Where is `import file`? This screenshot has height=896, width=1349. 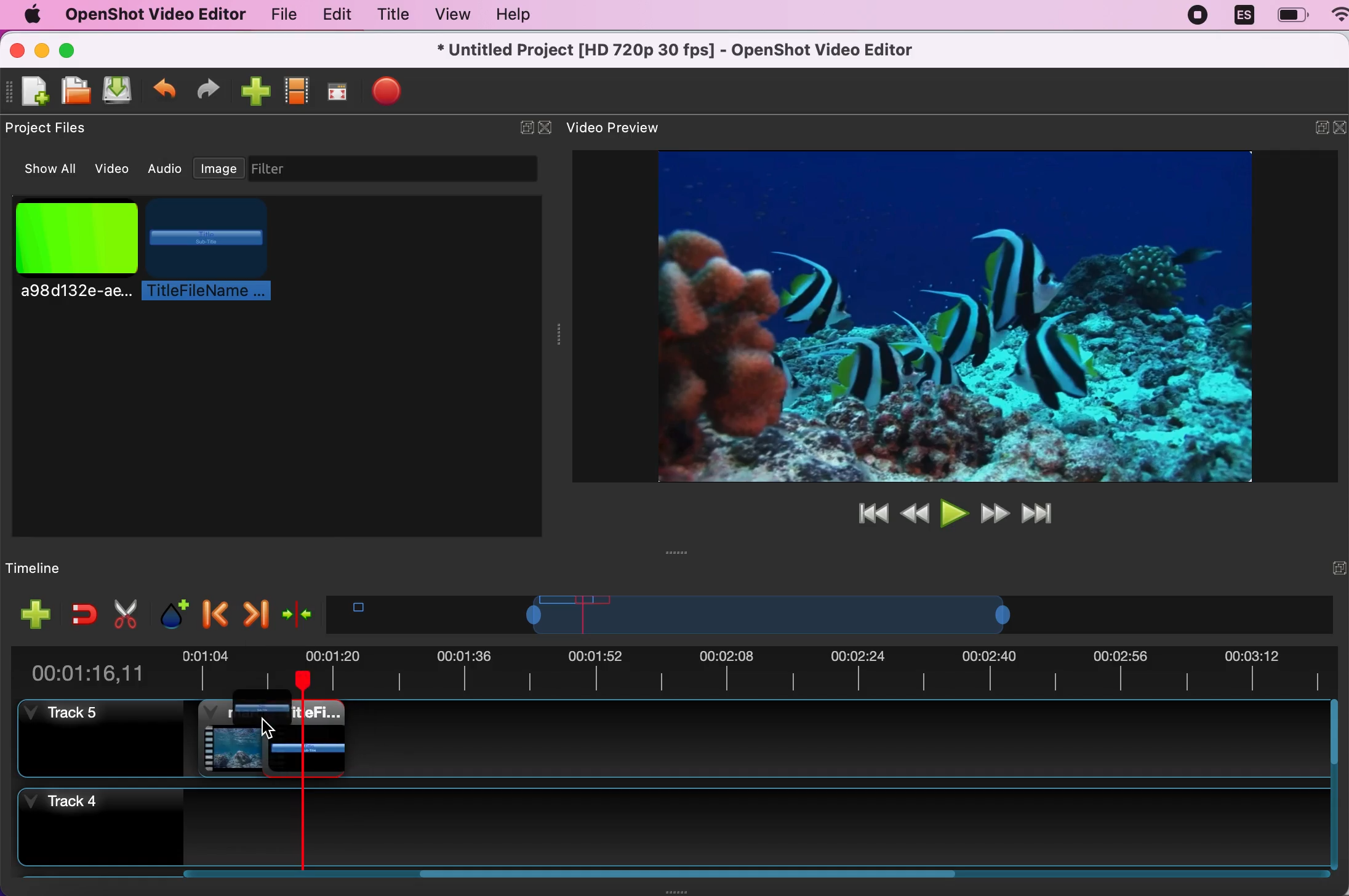
import file is located at coordinates (255, 90).